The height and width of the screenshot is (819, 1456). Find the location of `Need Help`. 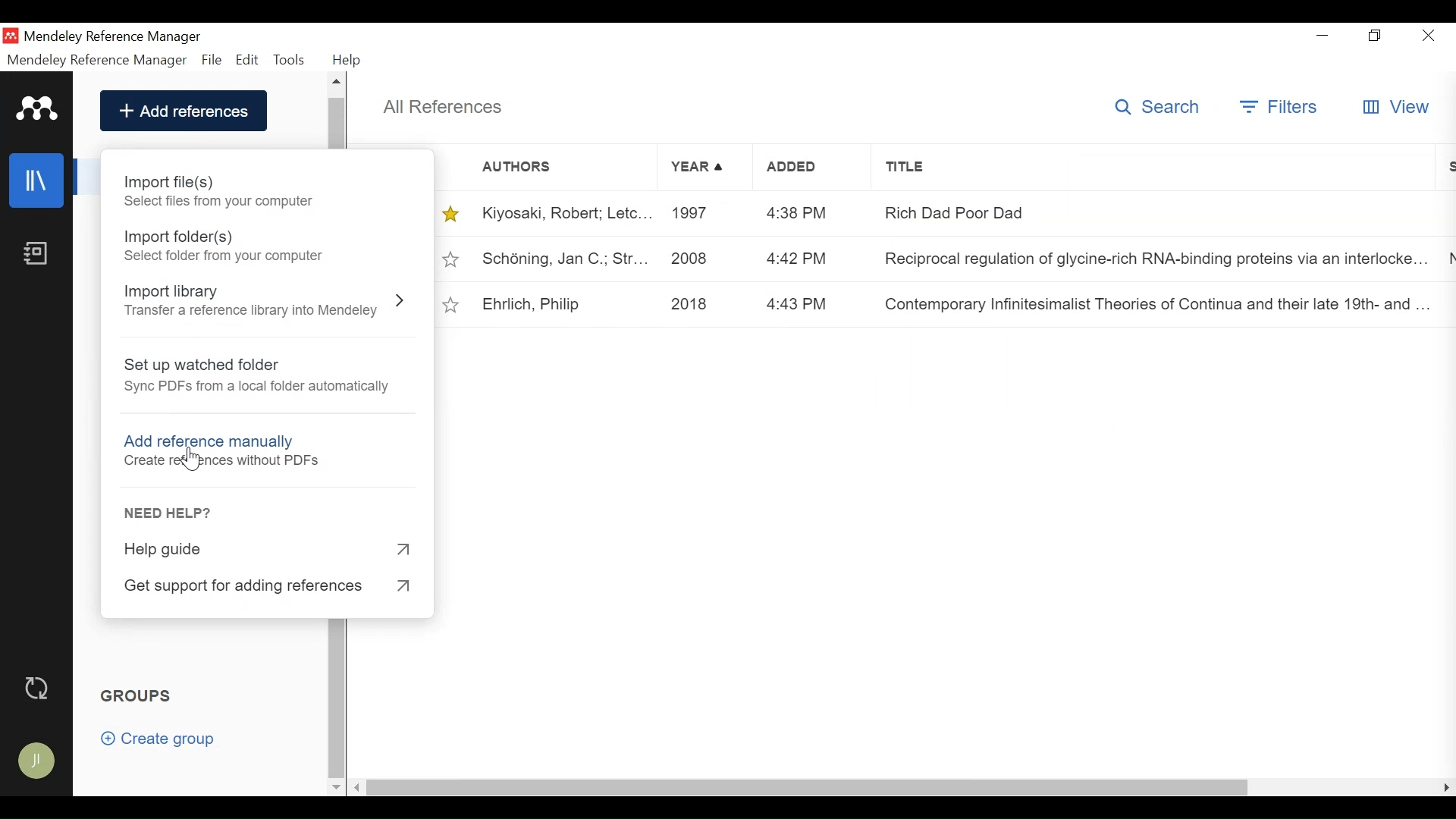

Need Help is located at coordinates (174, 510).